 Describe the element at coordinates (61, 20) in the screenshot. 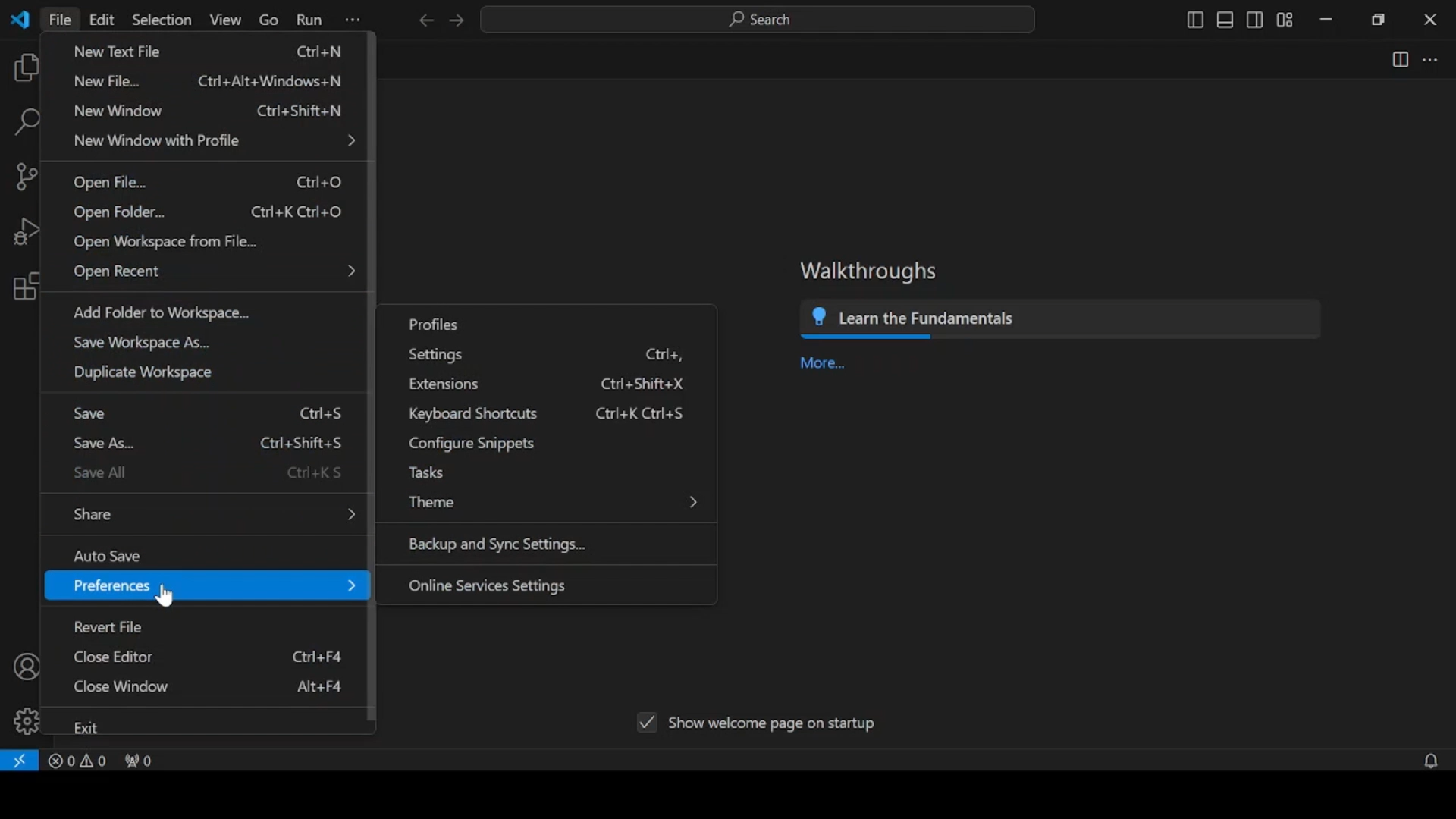

I see `file` at that location.